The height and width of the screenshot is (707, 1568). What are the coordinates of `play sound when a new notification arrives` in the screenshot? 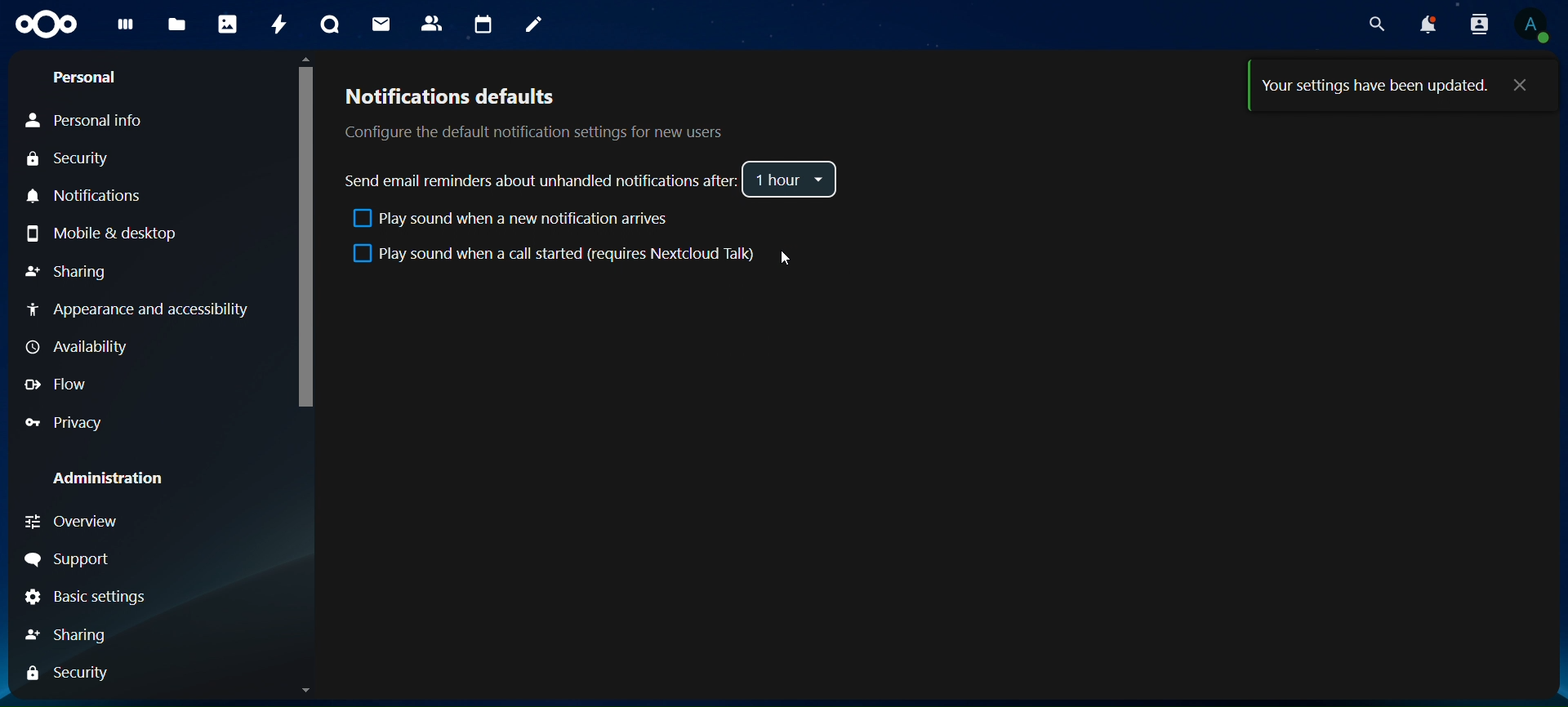 It's located at (508, 221).